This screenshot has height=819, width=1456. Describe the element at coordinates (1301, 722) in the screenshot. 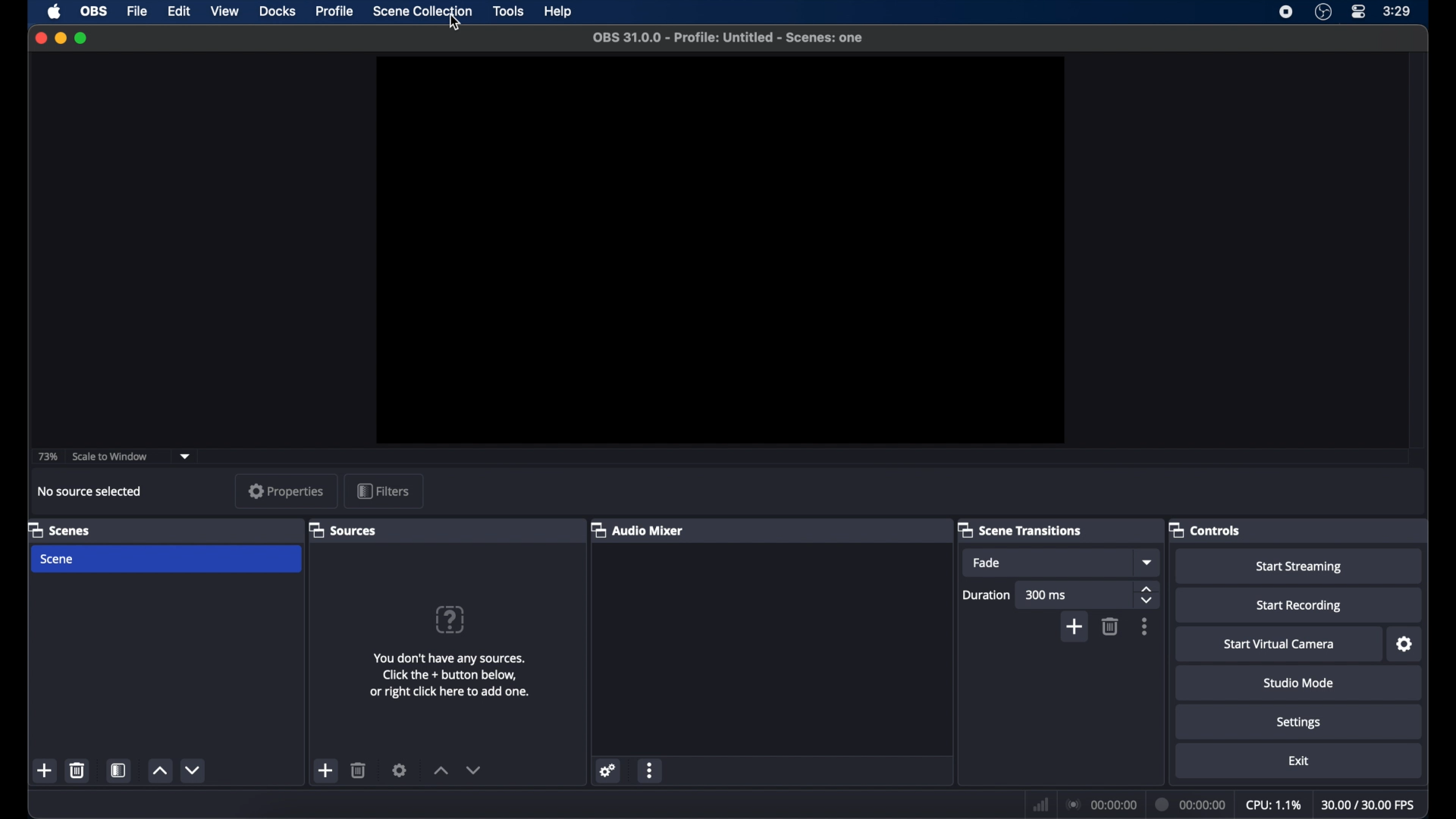

I see `settings` at that location.